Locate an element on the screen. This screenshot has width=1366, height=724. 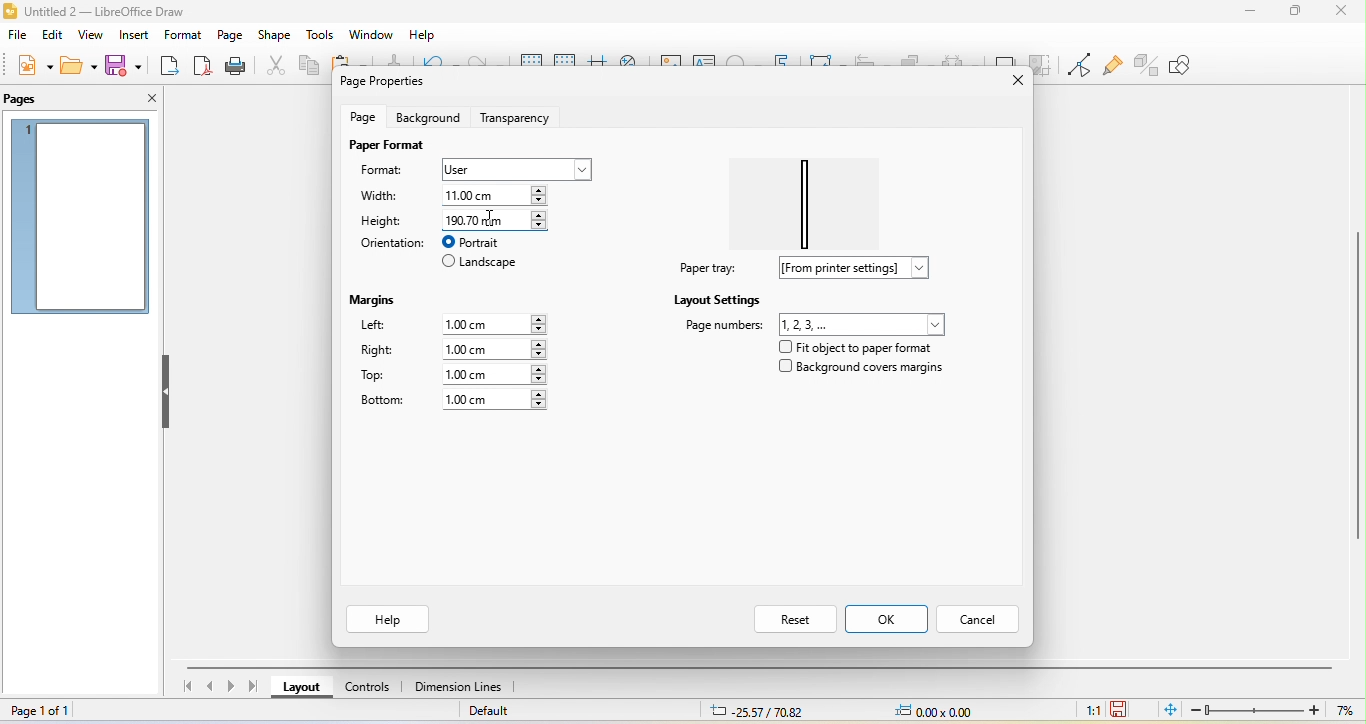
landscape is located at coordinates (481, 264).